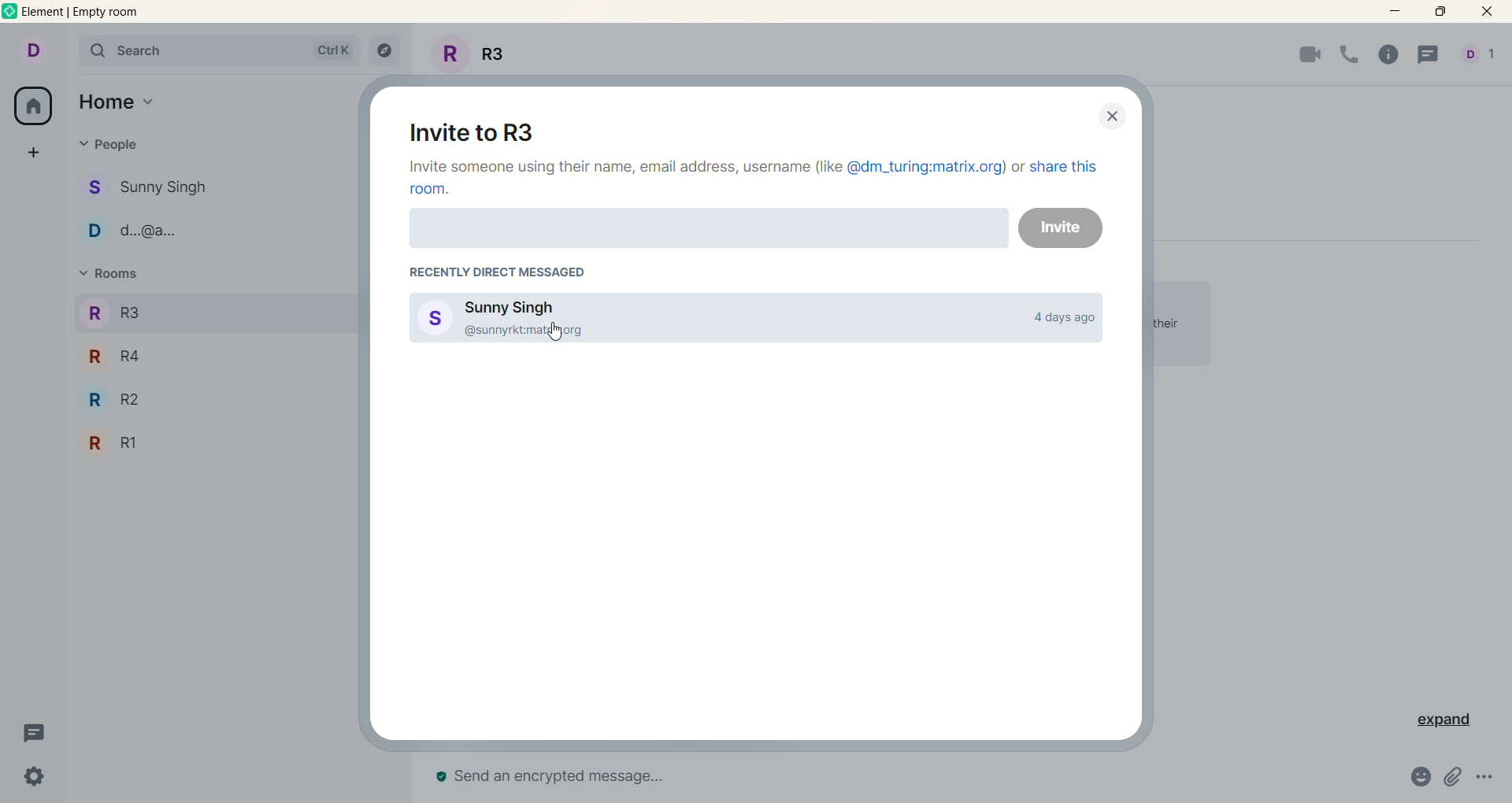 Image resolution: width=1512 pixels, height=803 pixels. What do you see at coordinates (1061, 228) in the screenshot?
I see `invite` at bounding box center [1061, 228].